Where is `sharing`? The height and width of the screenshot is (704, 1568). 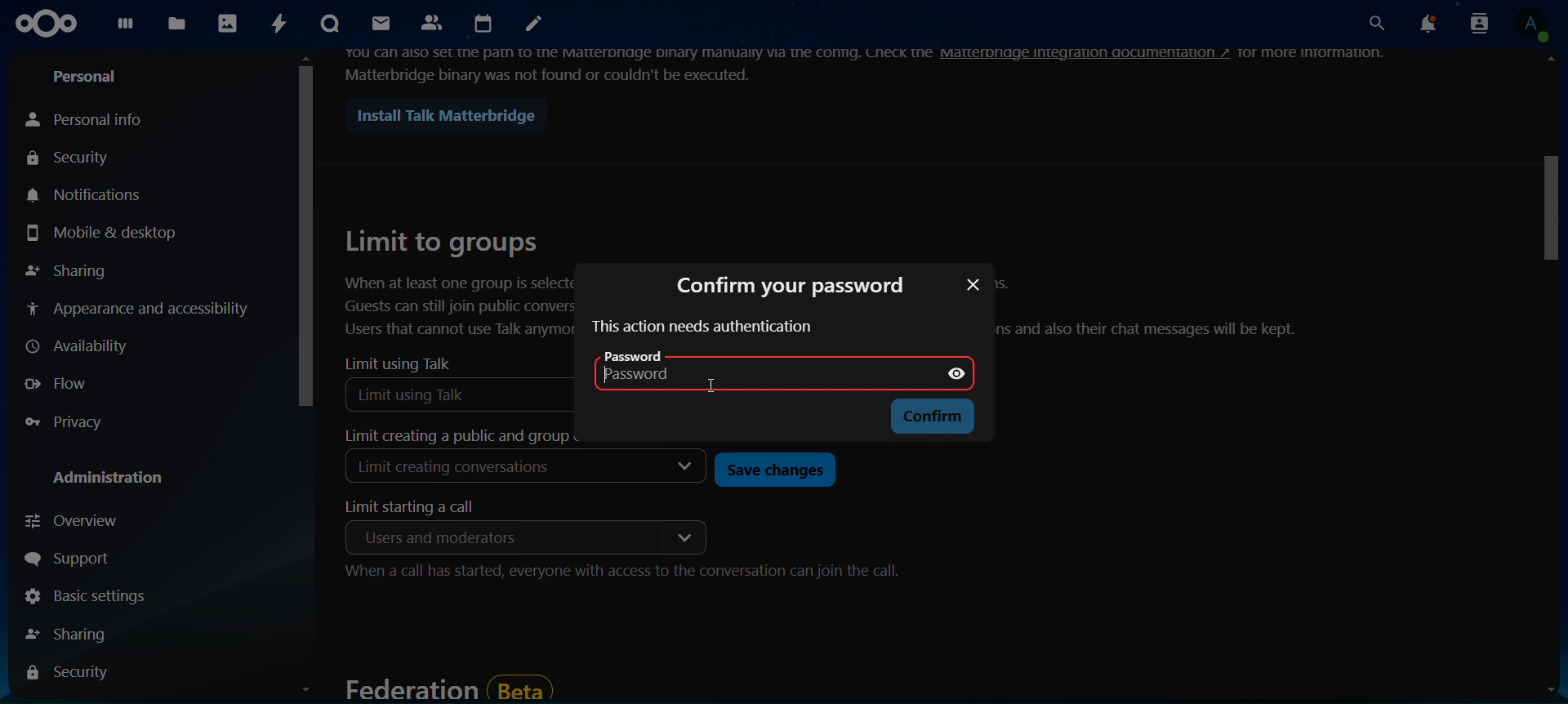 sharing is located at coordinates (75, 634).